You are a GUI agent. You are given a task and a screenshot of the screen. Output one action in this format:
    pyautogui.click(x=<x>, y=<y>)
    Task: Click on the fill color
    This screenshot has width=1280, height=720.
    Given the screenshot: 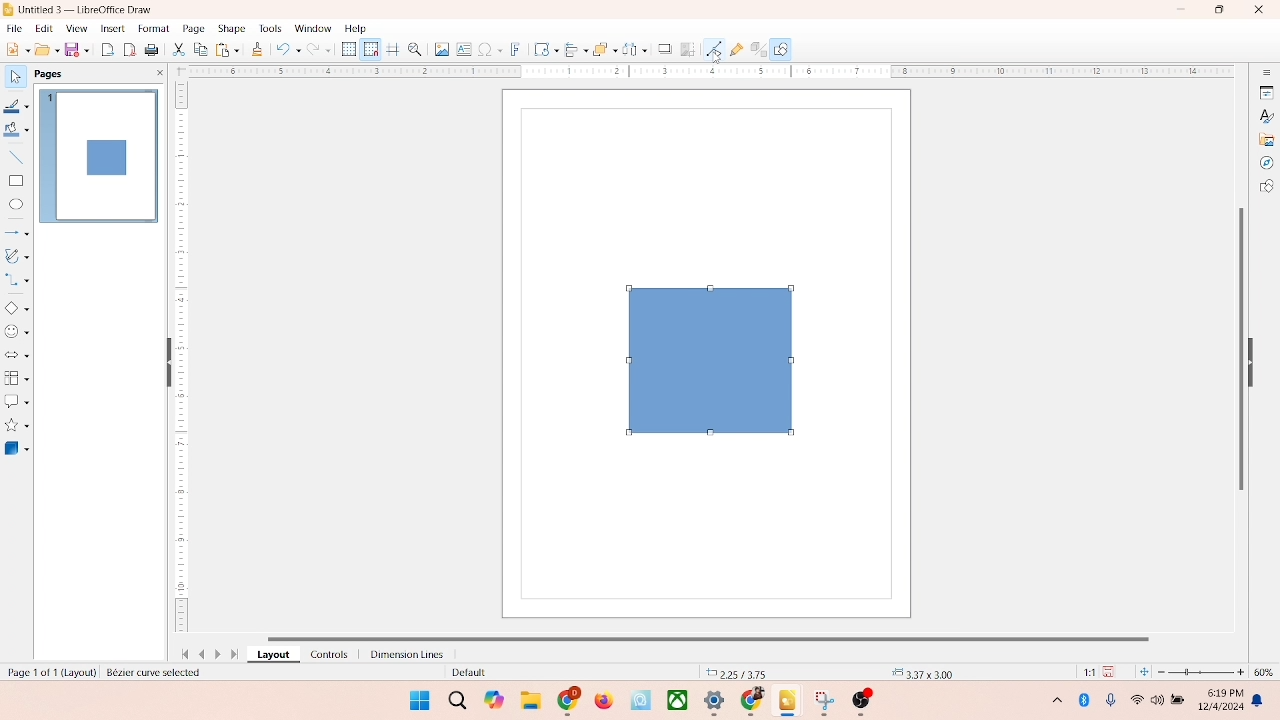 What is the action you would take?
    pyautogui.click(x=16, y=133)
    